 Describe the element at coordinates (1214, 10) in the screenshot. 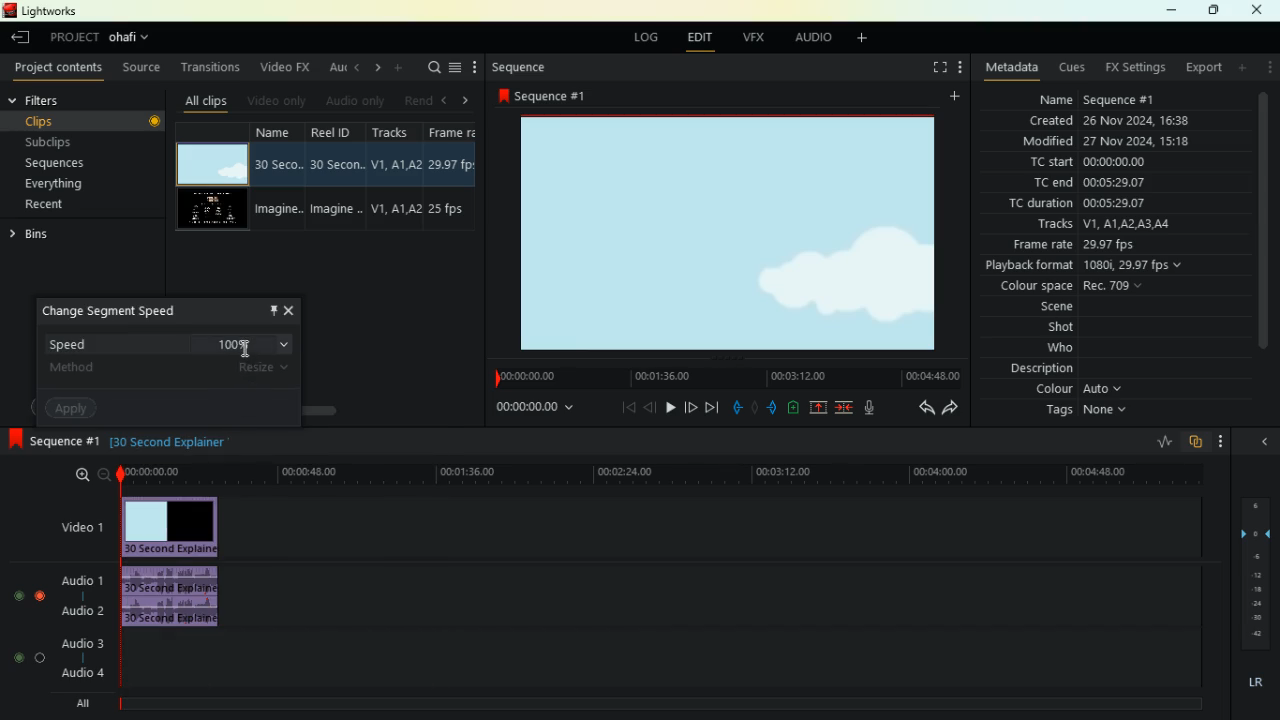

I see `maximize` at that location.